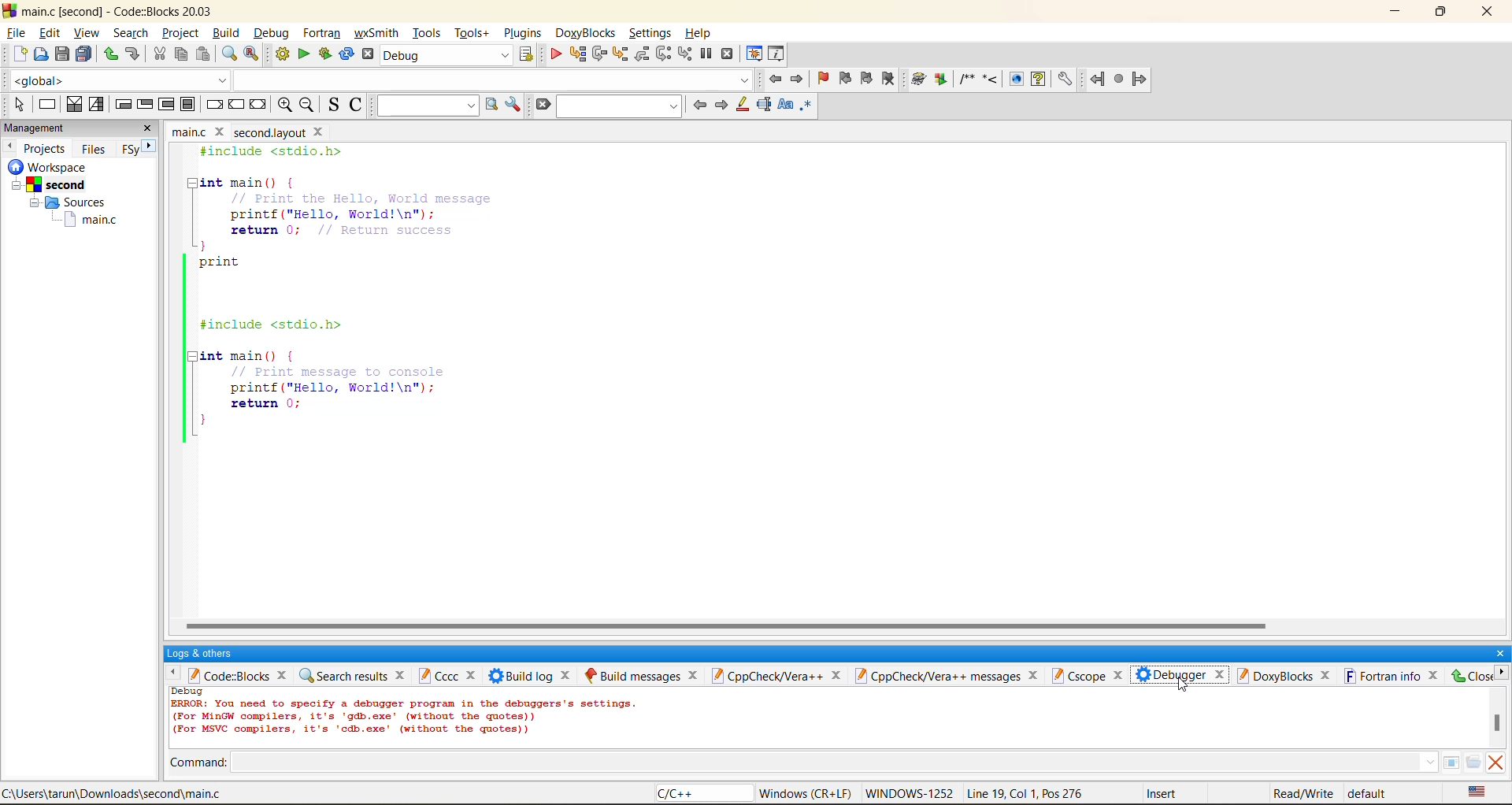  Describe the element at coordinates (287, 105) in the screenshot. I see `zoom in` at that location.